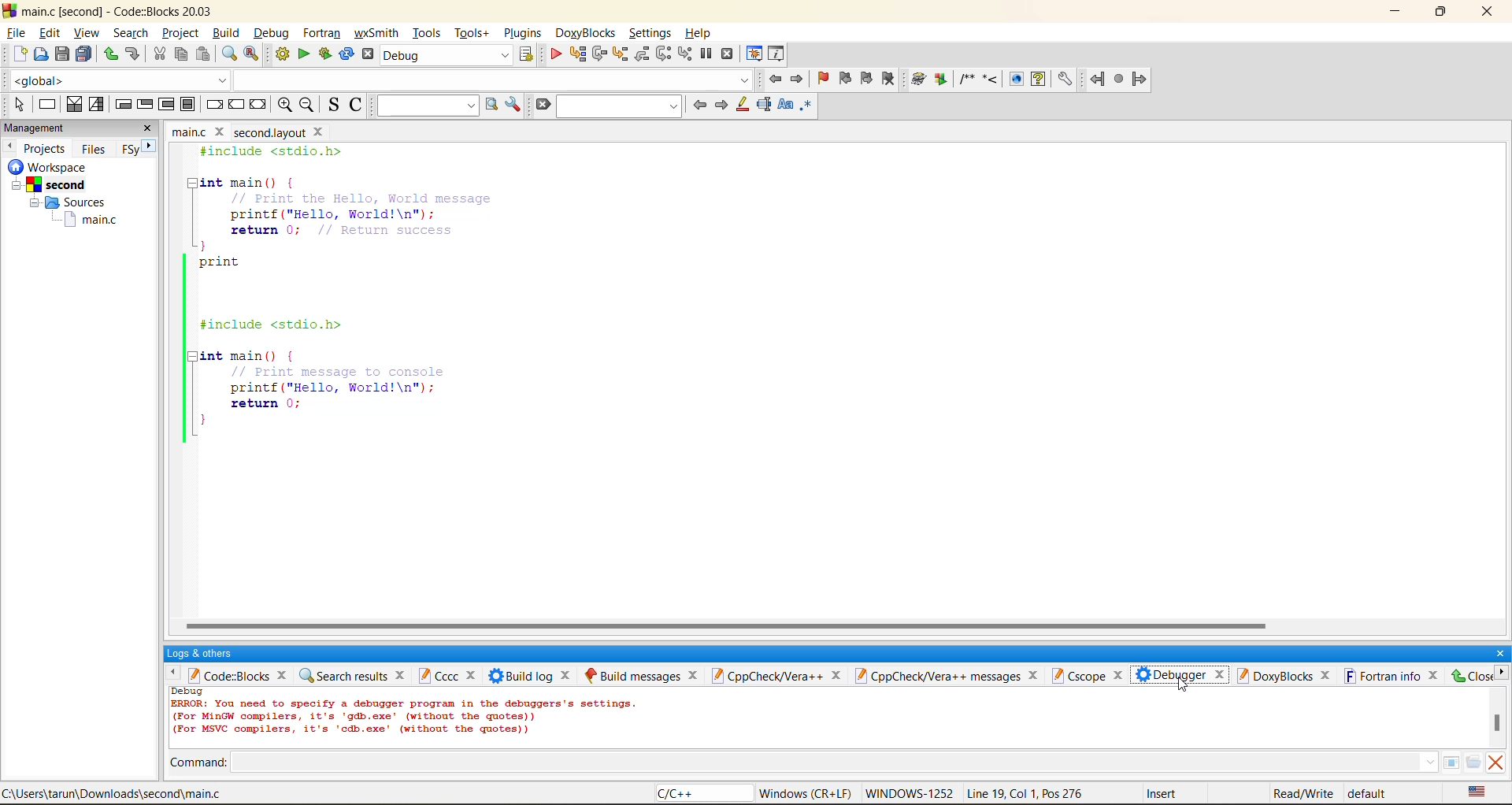  What do you see at coordinates (1499, 649) in the screenshot?
I see `close` at bounding box center [1499, 649].